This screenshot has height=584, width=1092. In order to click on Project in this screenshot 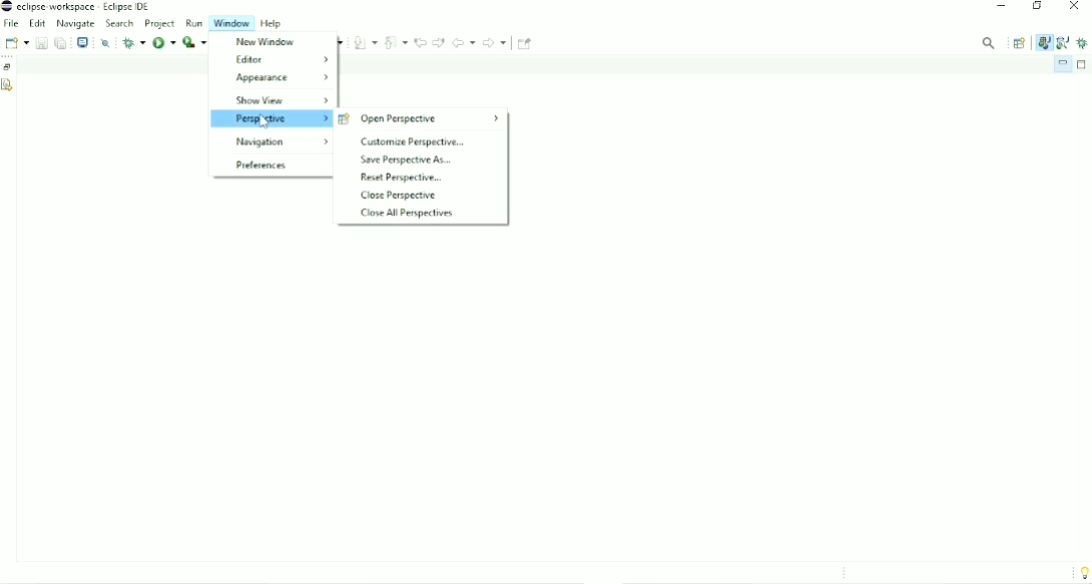, I will do `click(160, 23)`.